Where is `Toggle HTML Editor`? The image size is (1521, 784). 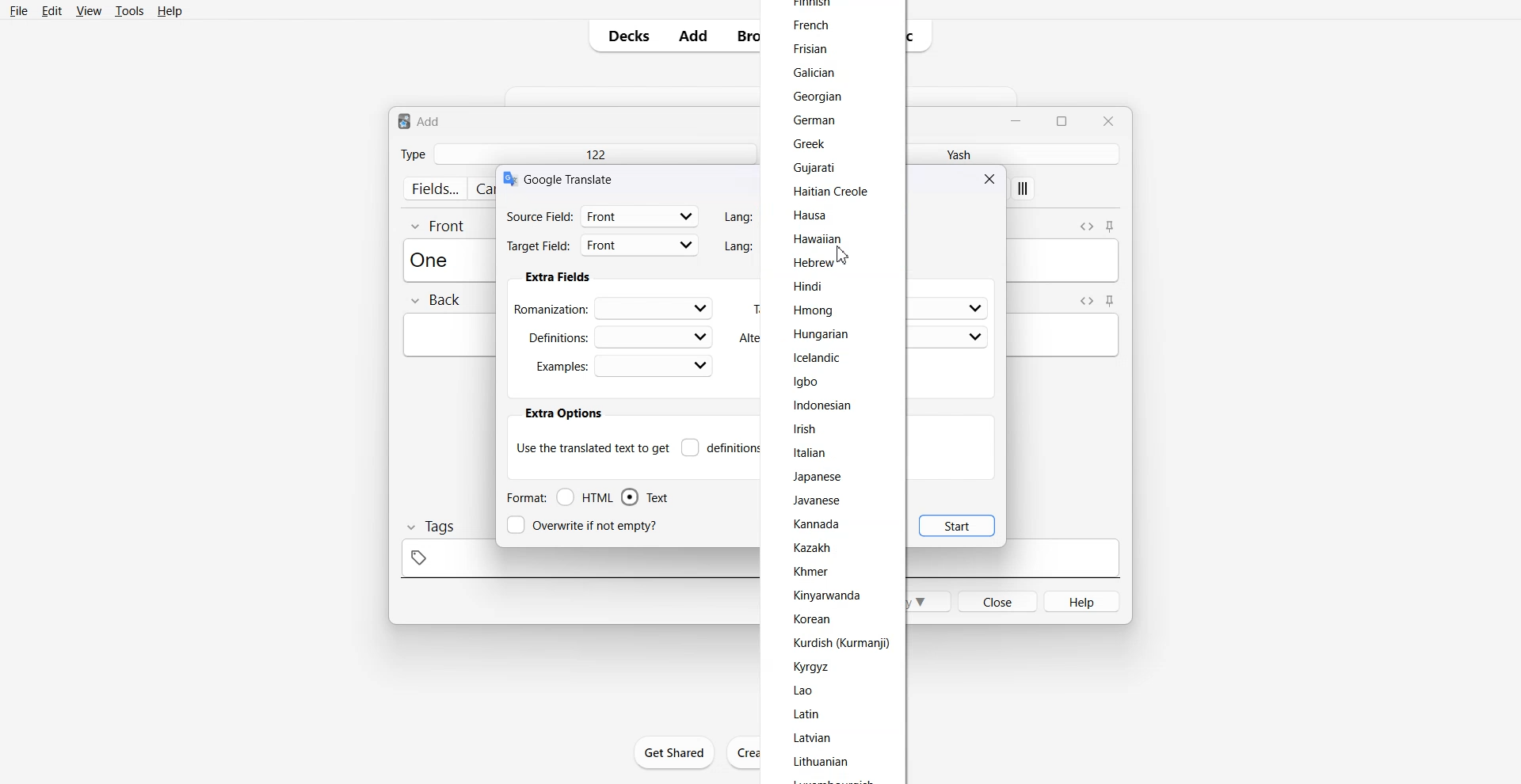
Toggle HTML Editor is located at coordinates (1086, 225).